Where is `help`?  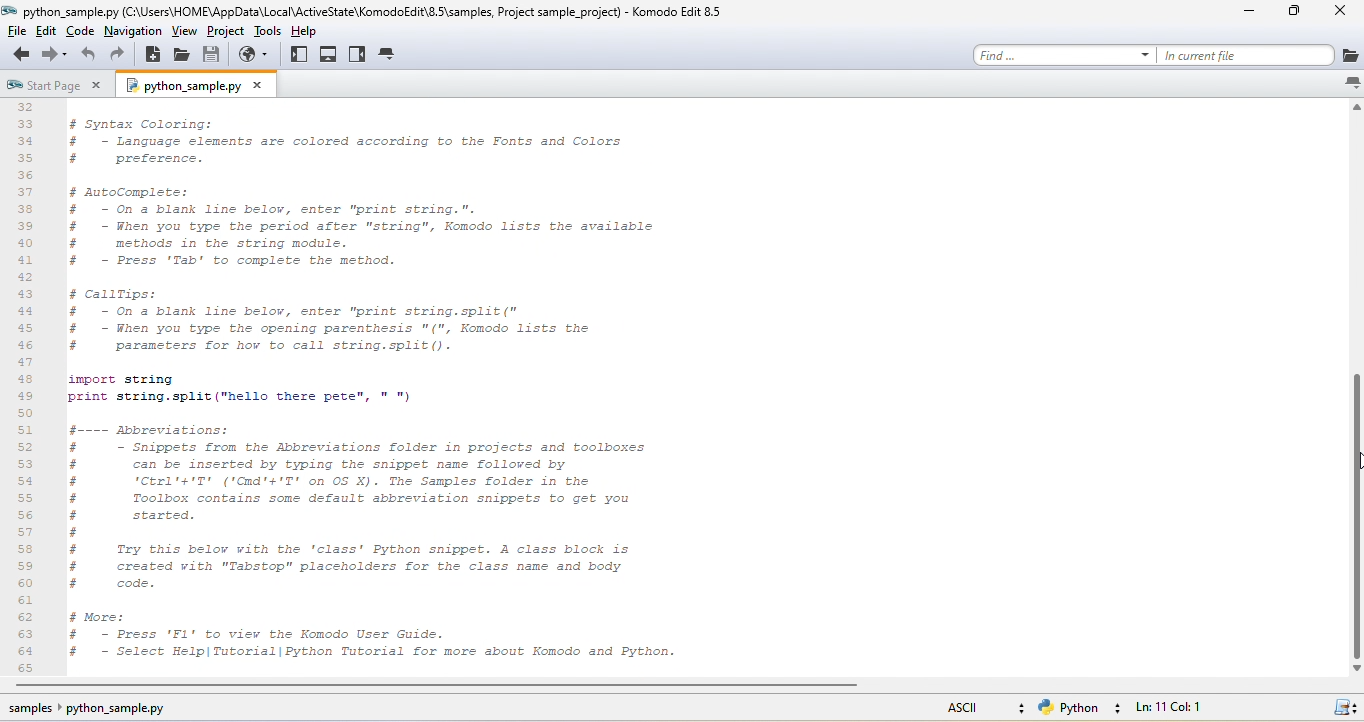
help is located at coordinates (311, 31).